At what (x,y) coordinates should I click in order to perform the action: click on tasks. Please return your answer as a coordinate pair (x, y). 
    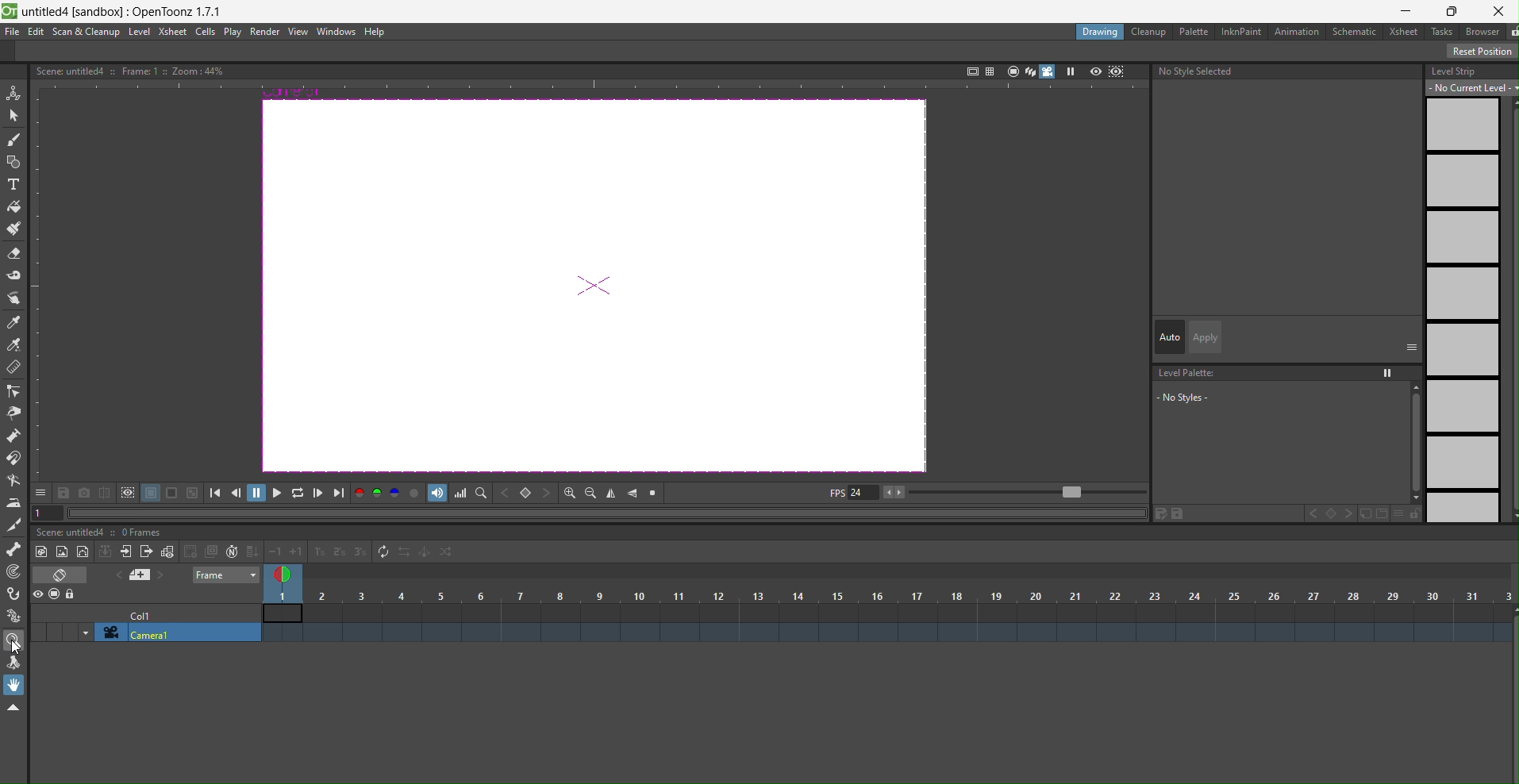
    Looking at the image, I should click on (1444, 33).